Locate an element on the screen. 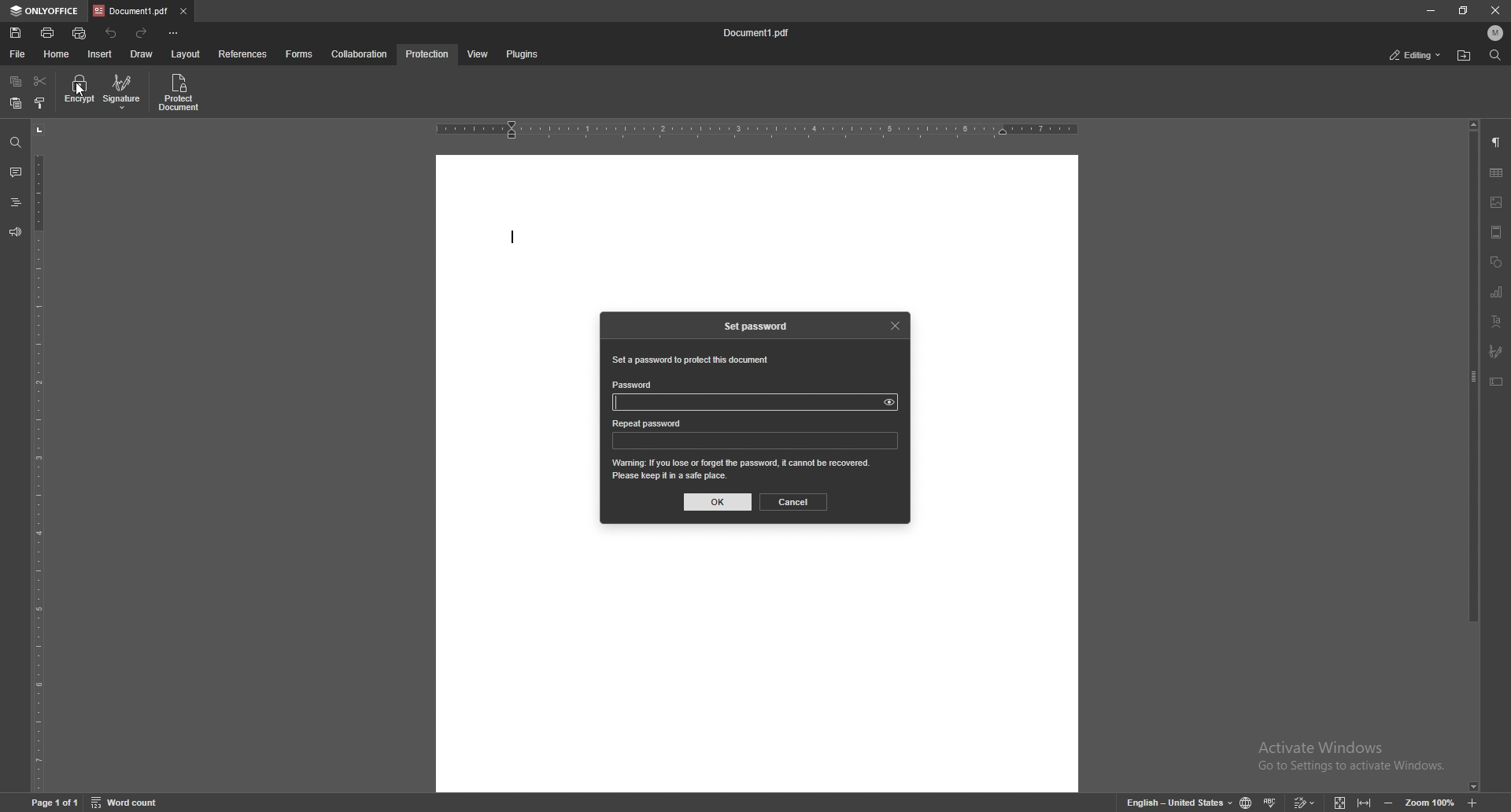  protect document is located at coordinates (179, 93).